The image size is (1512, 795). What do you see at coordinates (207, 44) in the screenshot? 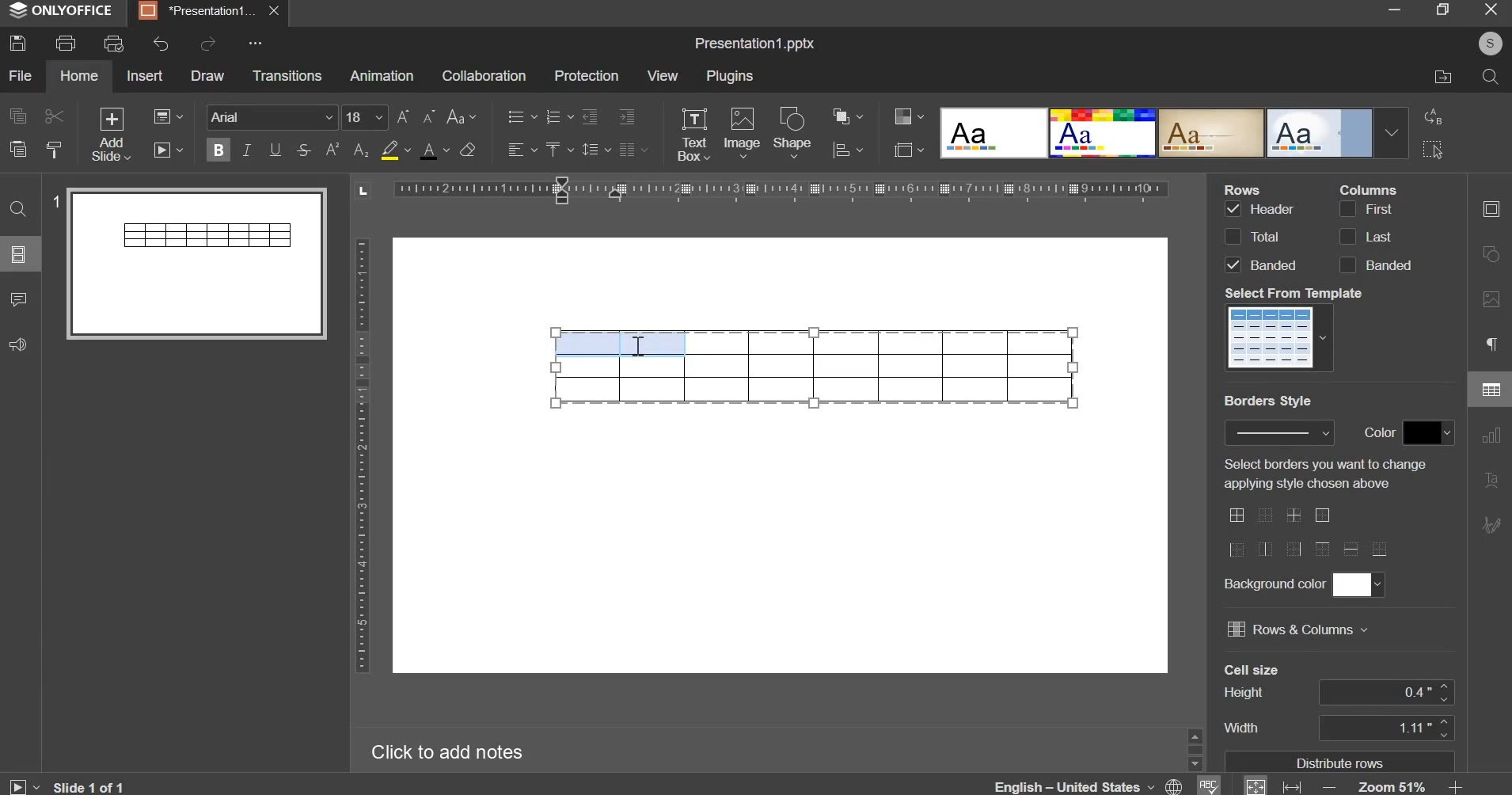
I see `redo` at bounding box center [207, 44].